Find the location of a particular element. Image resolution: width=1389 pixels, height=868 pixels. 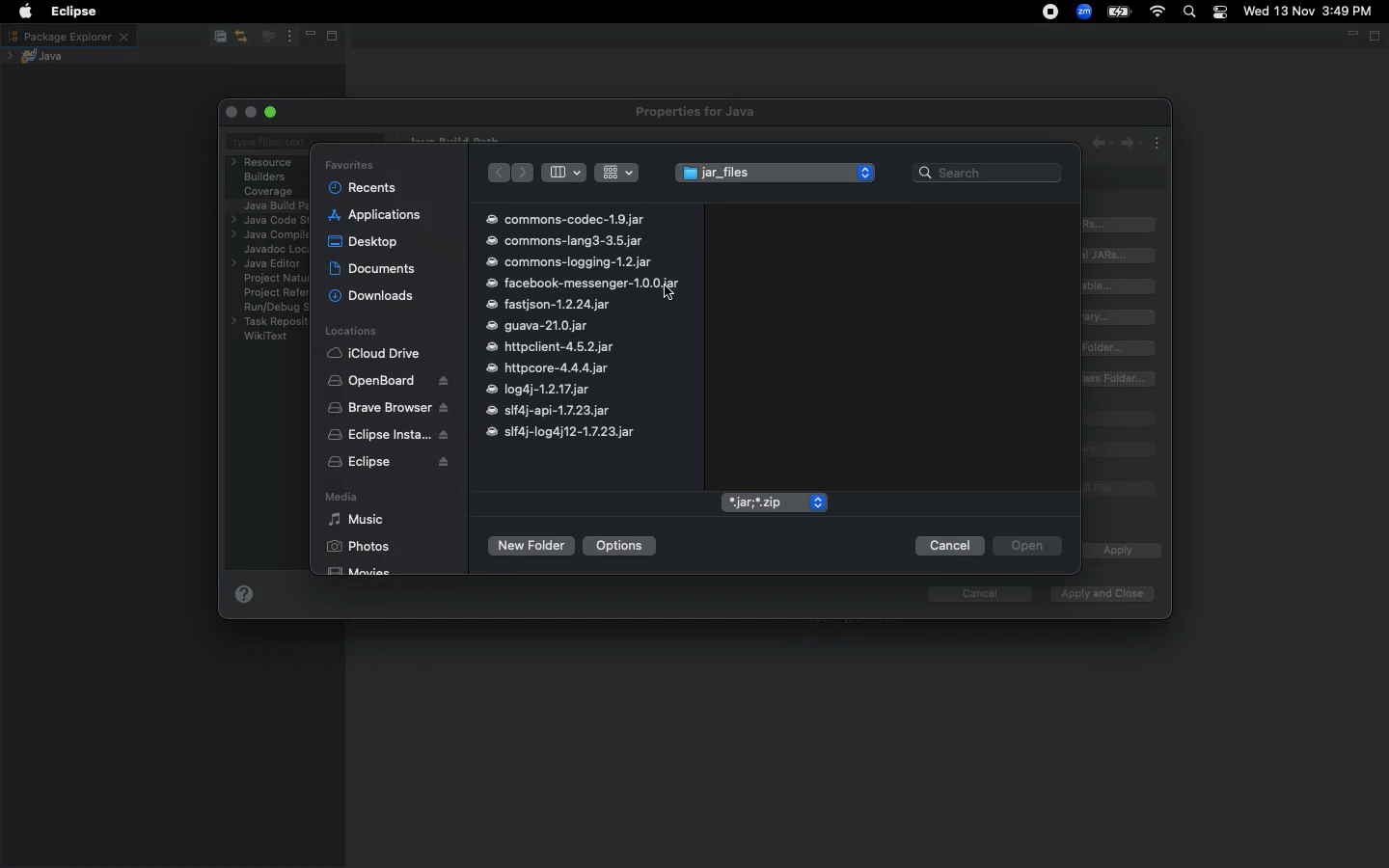

Maximize is located at coordinates (273, 112).